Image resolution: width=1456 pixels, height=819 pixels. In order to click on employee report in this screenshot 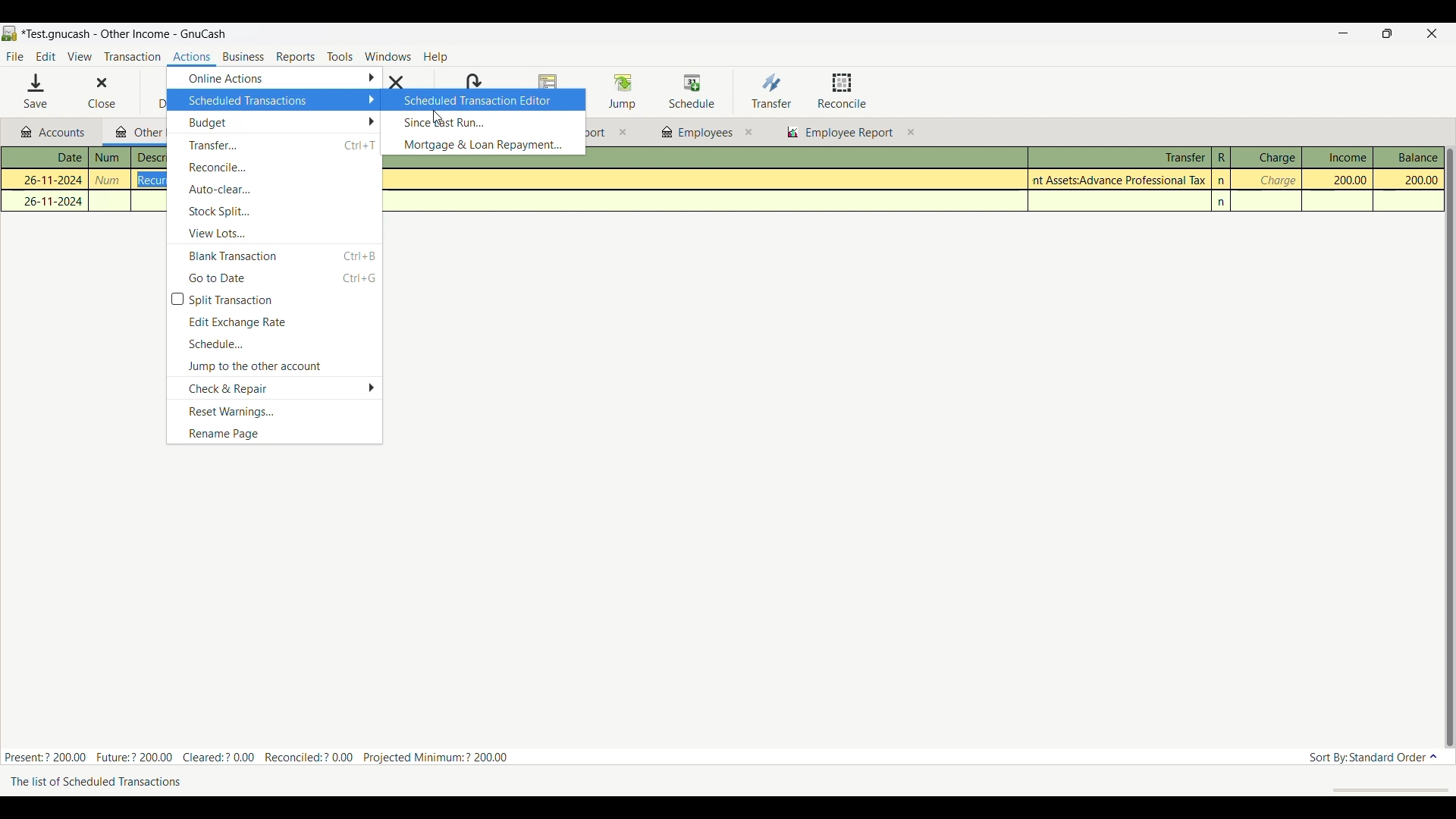, I will do `click(848, 134)`.